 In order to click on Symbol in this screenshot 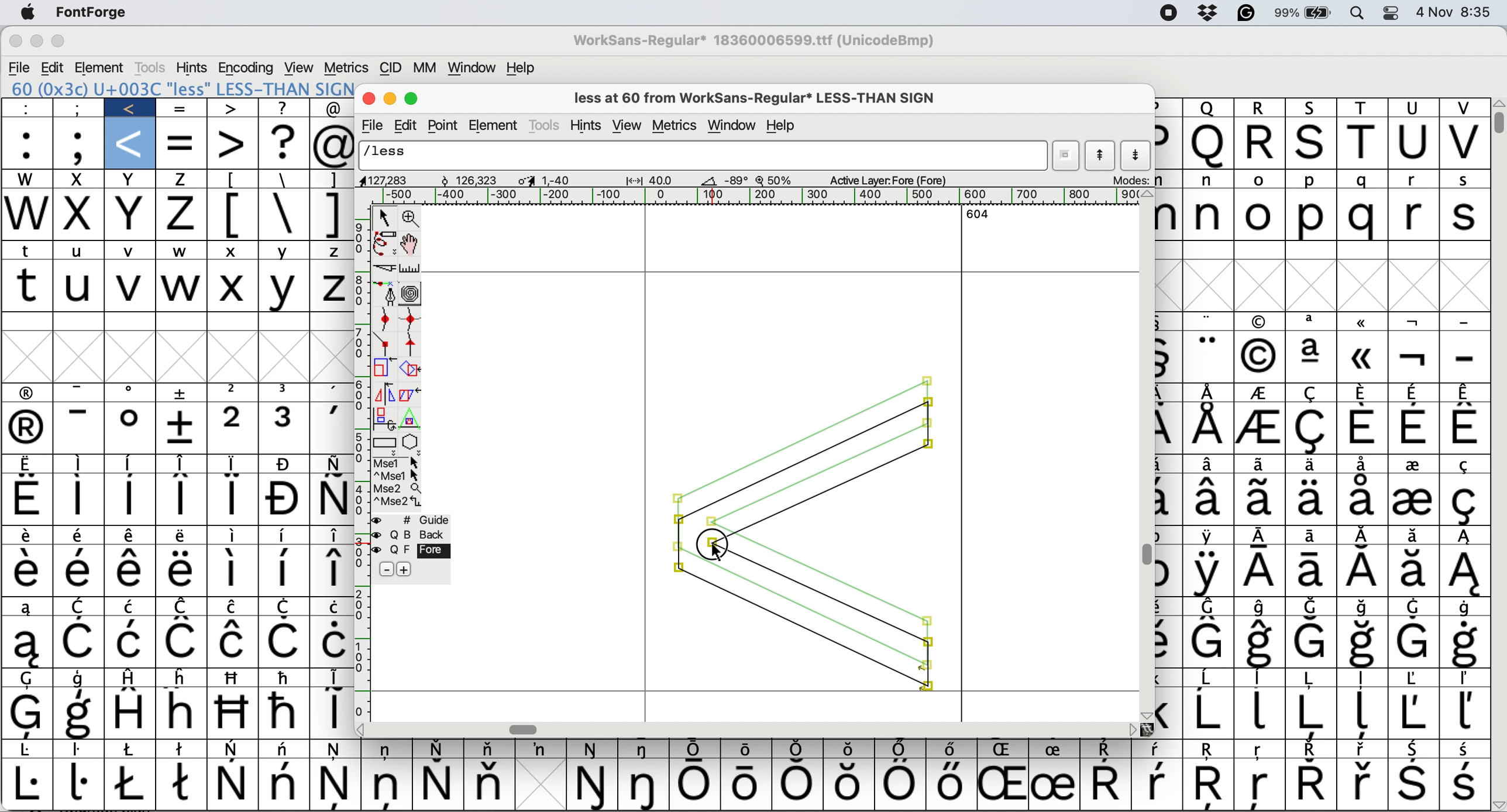, I will do `click(1104, 781)`.